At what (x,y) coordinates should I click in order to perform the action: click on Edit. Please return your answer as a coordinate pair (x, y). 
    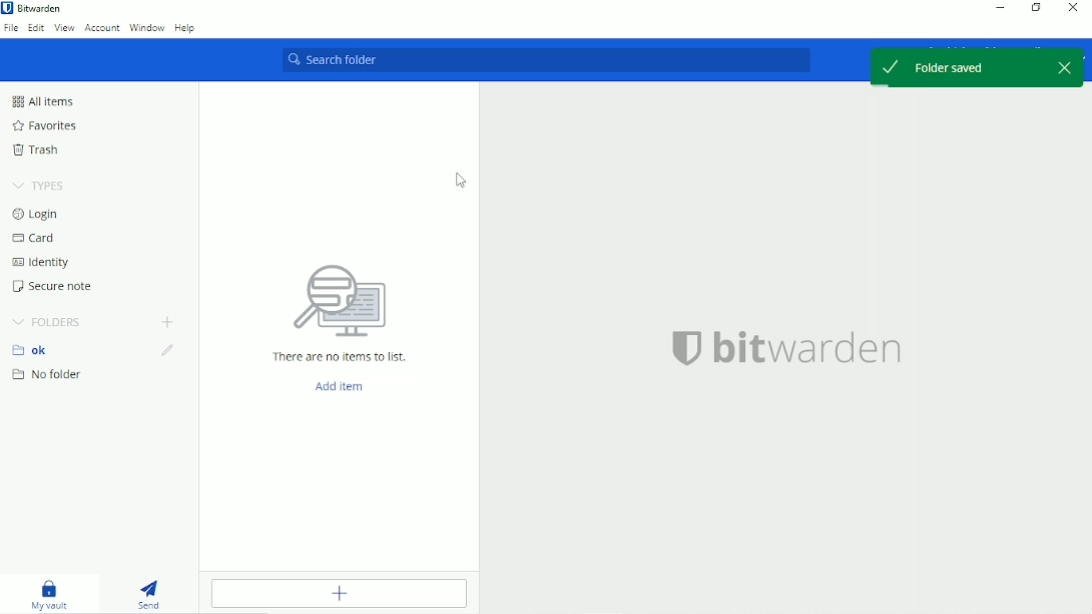
    Looking at the image, I should click on (37, 27).